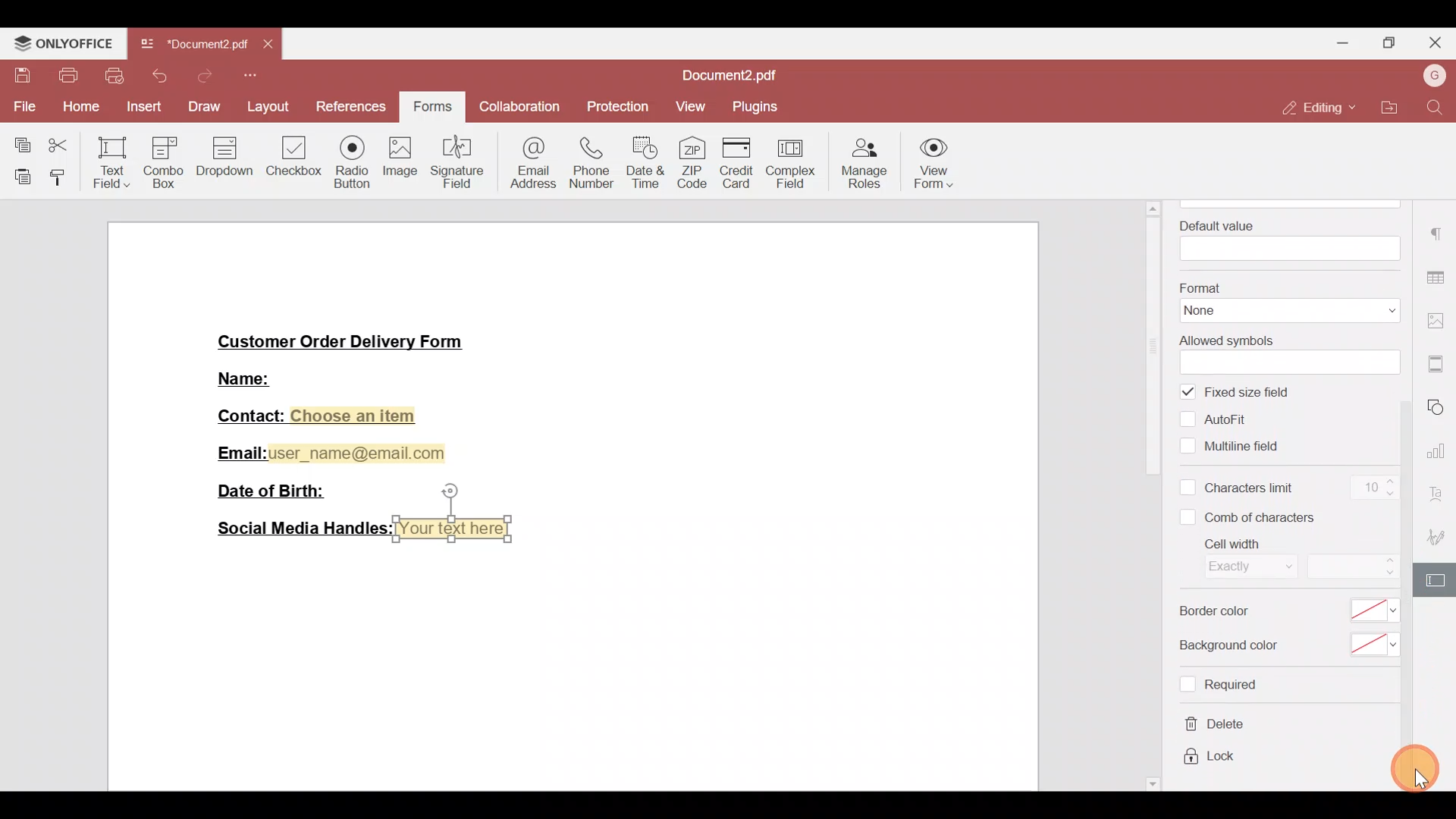 This screenshot has width=1456, height=819. I want to click on View form, so click(941, 161).